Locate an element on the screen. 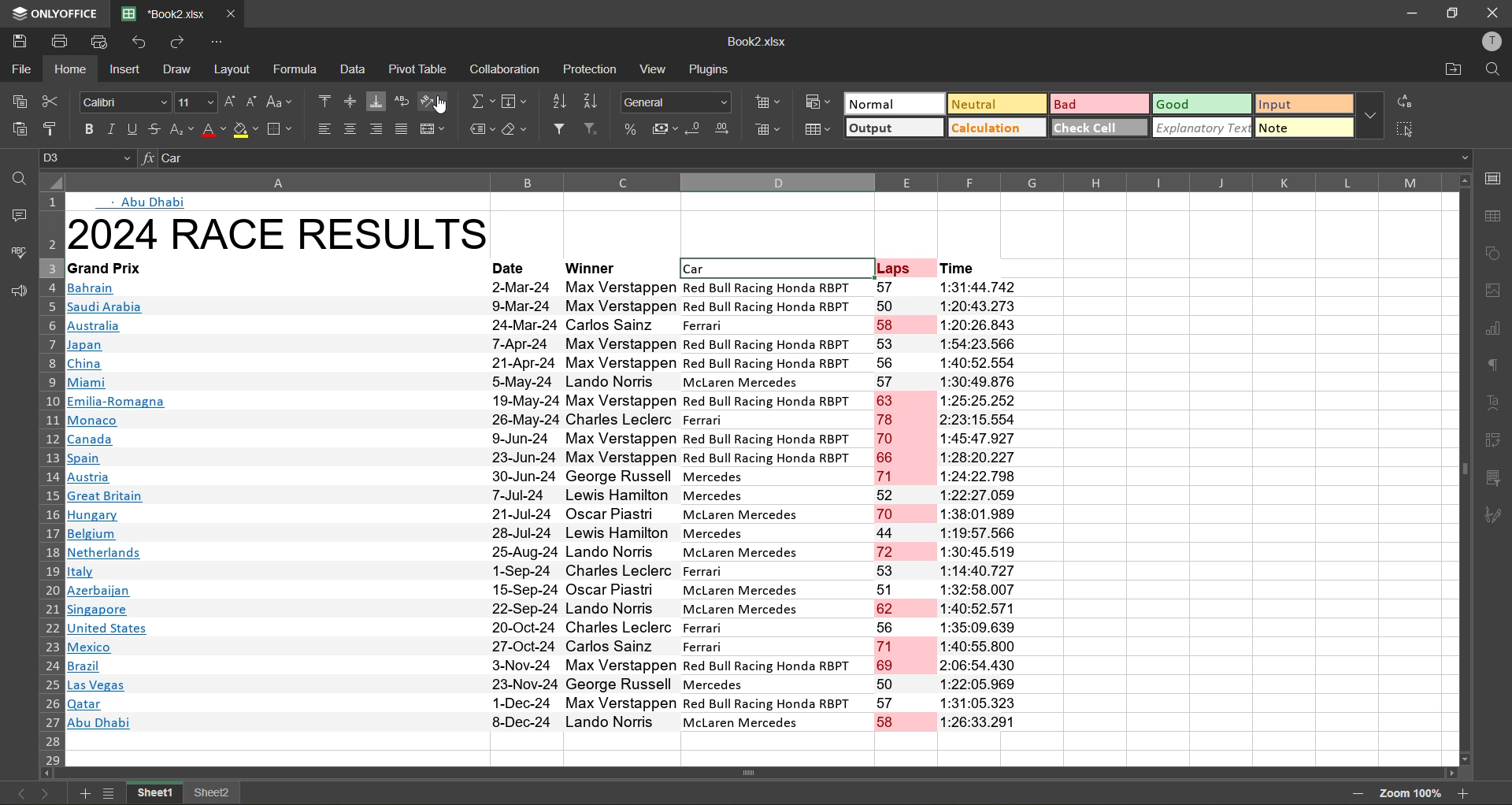  paragraph is located at coordinates (1494, 368).